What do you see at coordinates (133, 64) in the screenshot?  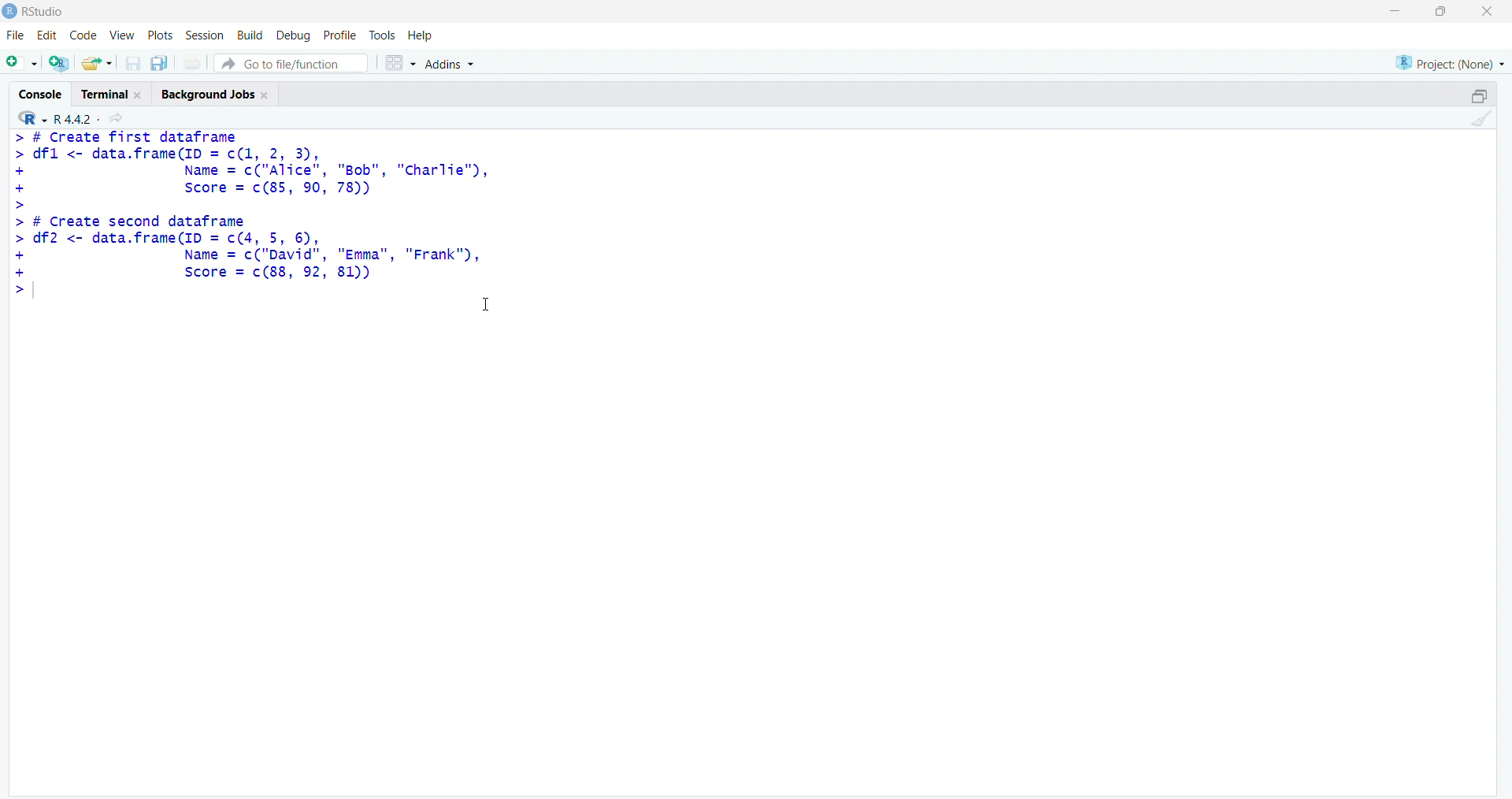 I see `save current document` at bounding box center [133, 64].